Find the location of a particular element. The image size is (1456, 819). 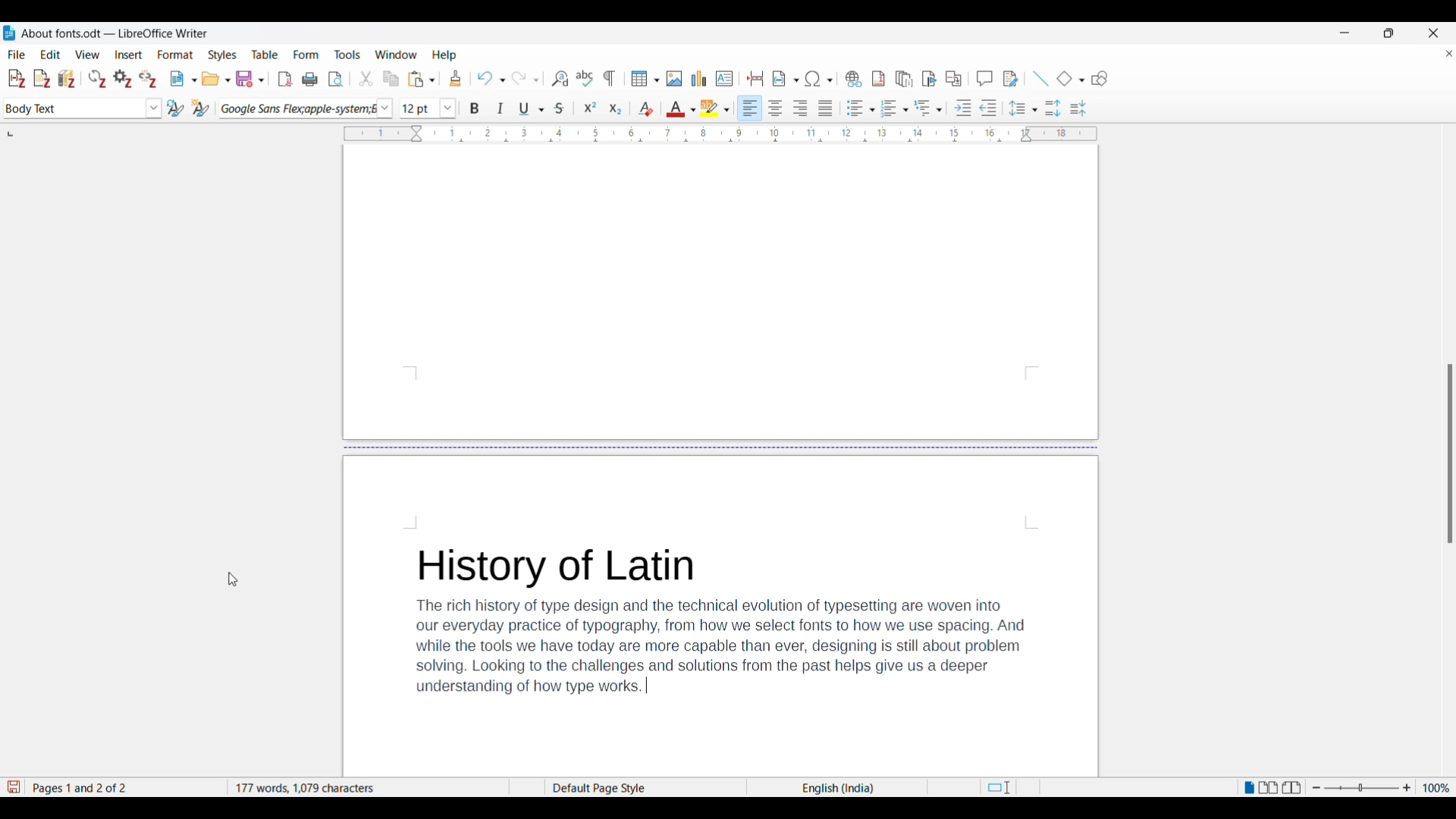

Show track changes functions is located at coordinates (1010, 79).